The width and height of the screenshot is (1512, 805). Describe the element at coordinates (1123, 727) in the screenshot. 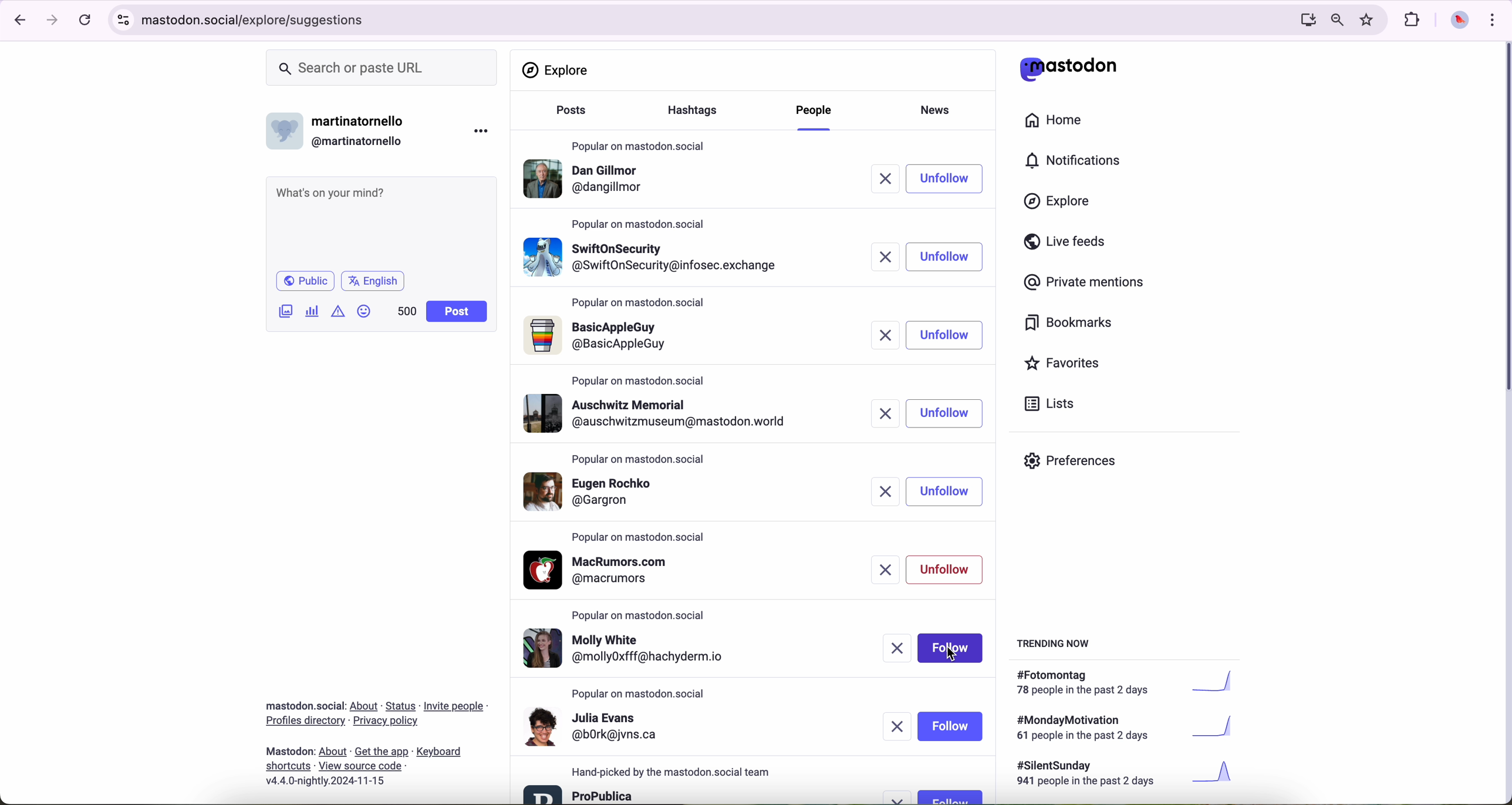

I see `#mondaymotivation` at that location.